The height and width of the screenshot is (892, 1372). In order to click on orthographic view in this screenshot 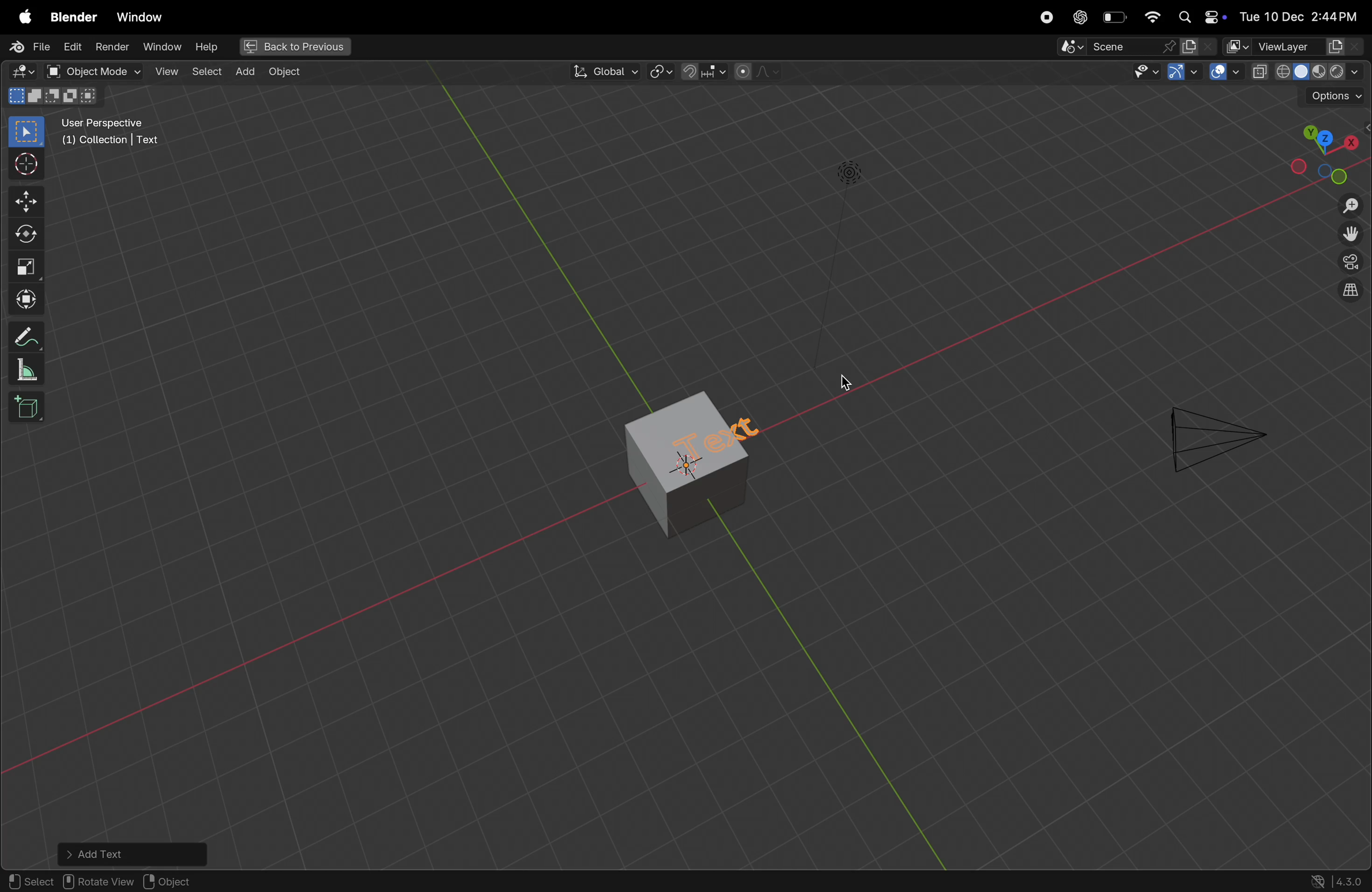, I will do `click(1351, 292)`.